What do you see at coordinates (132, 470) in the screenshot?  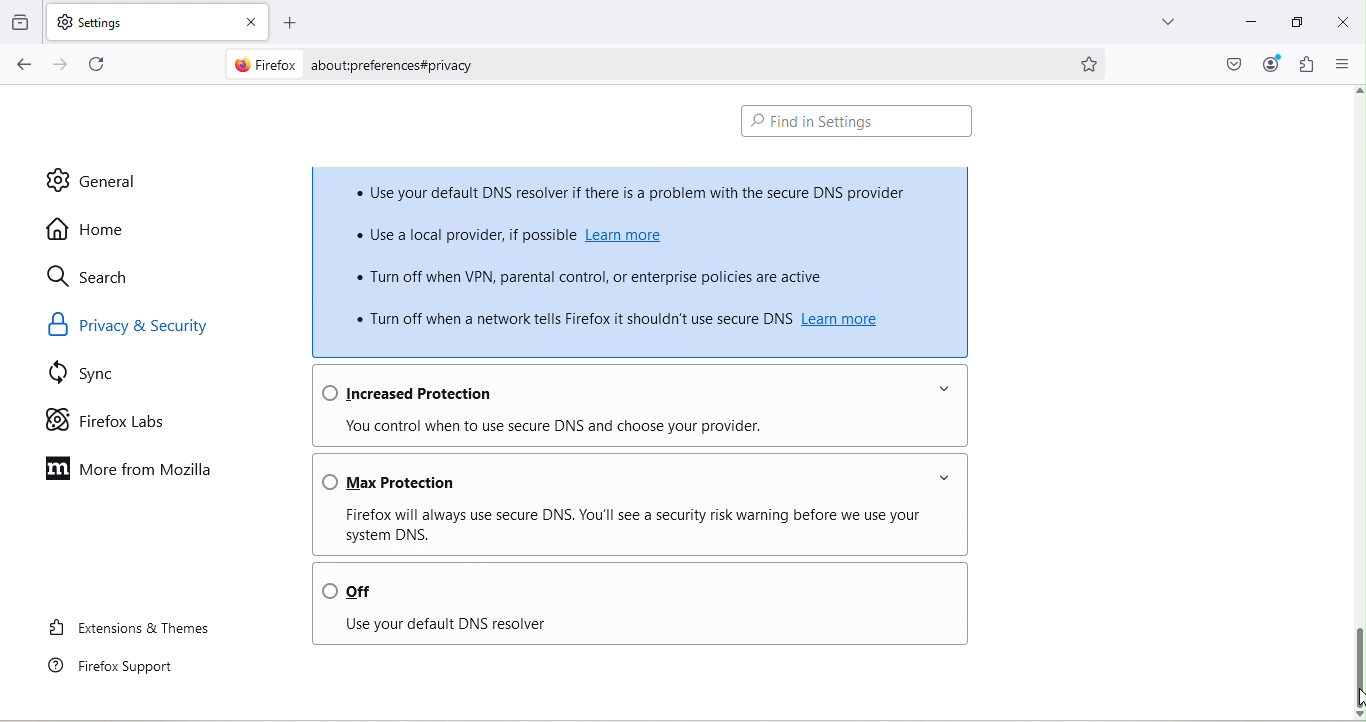 I see `More from Mozilla` at bounding box center [132, 470].